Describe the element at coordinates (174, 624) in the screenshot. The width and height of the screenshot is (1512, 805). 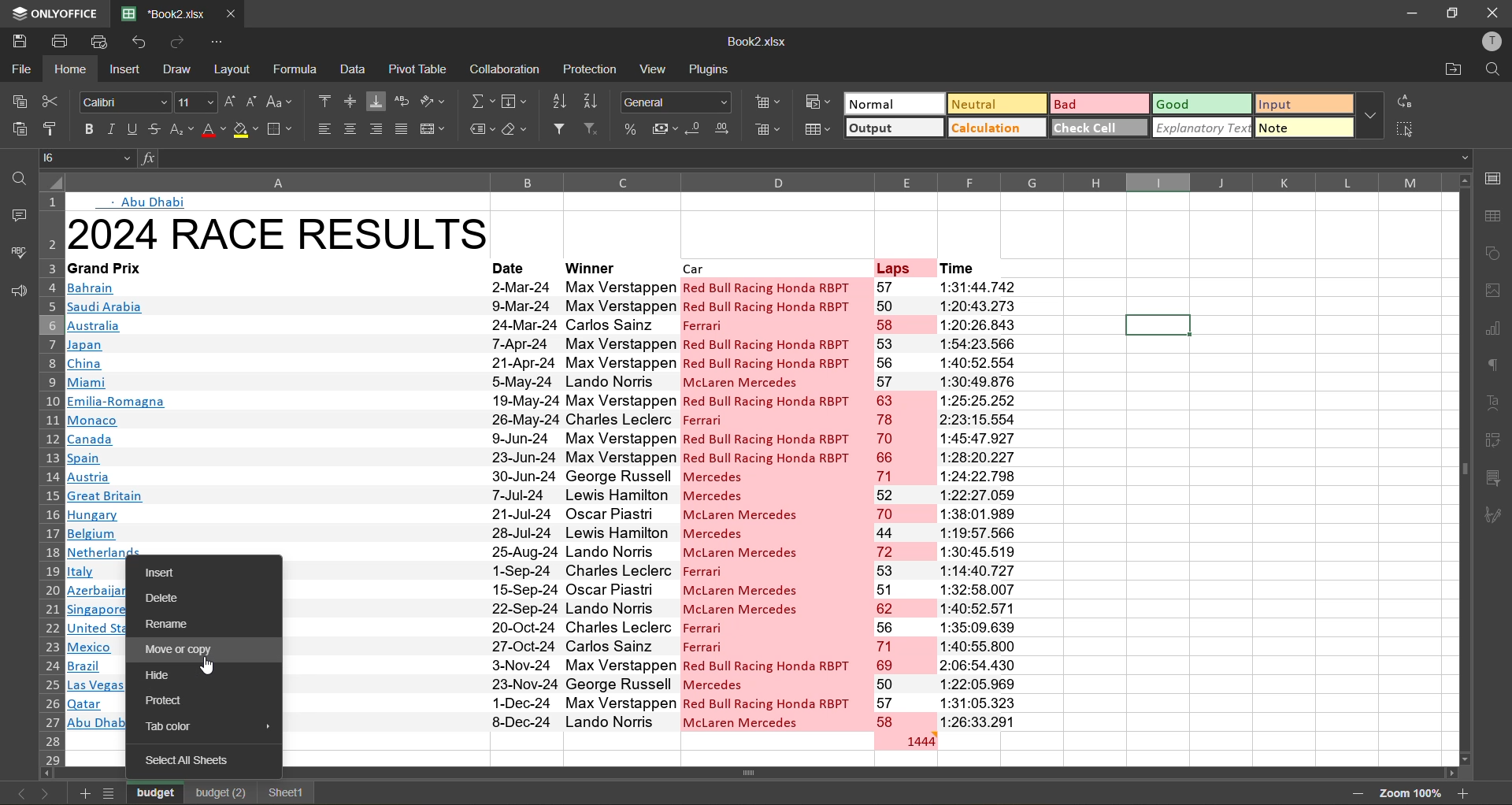
I see `rename` at that location.